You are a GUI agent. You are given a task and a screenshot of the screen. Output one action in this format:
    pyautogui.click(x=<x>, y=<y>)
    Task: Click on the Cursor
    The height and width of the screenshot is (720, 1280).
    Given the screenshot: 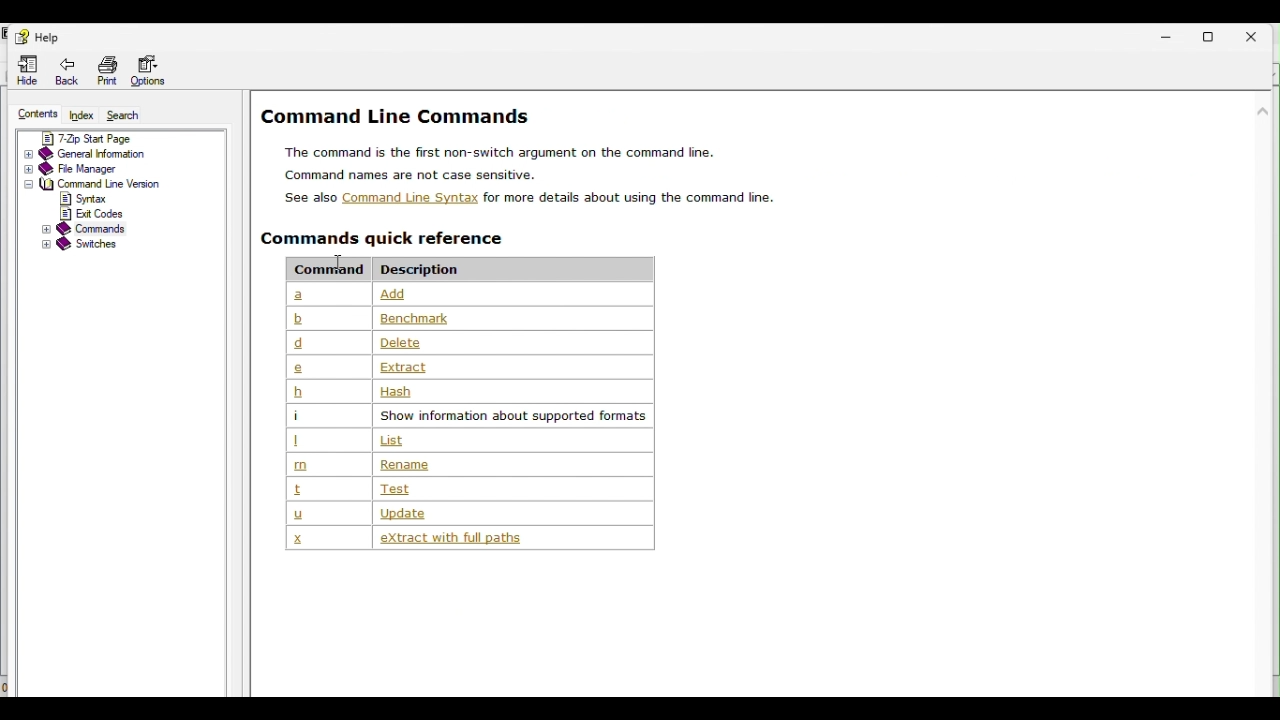 What is the action you would take?
    pyautogui.click(x=341, y=260)
    